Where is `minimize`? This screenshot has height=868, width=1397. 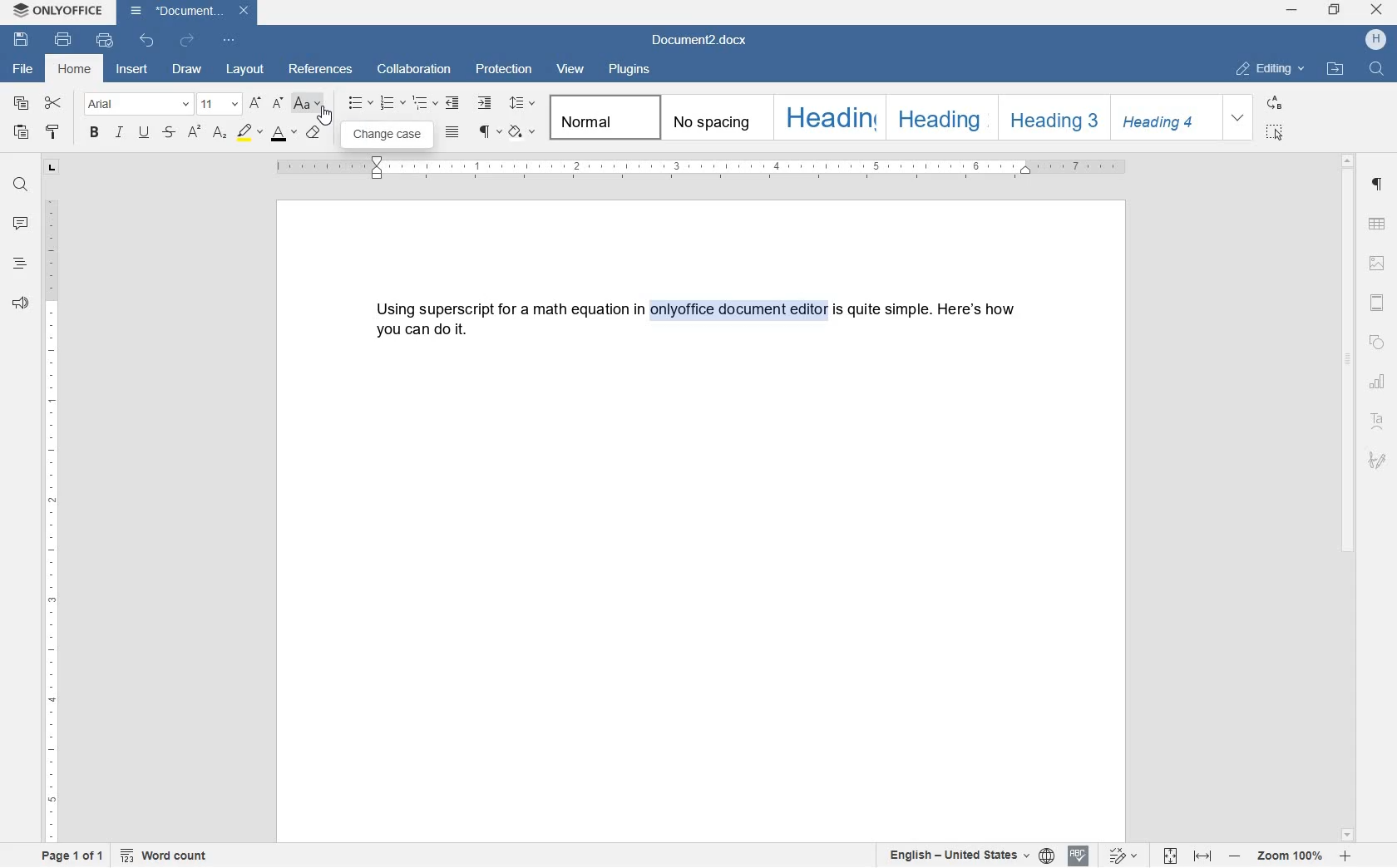
minimize is located at coordinates (1291, 10).